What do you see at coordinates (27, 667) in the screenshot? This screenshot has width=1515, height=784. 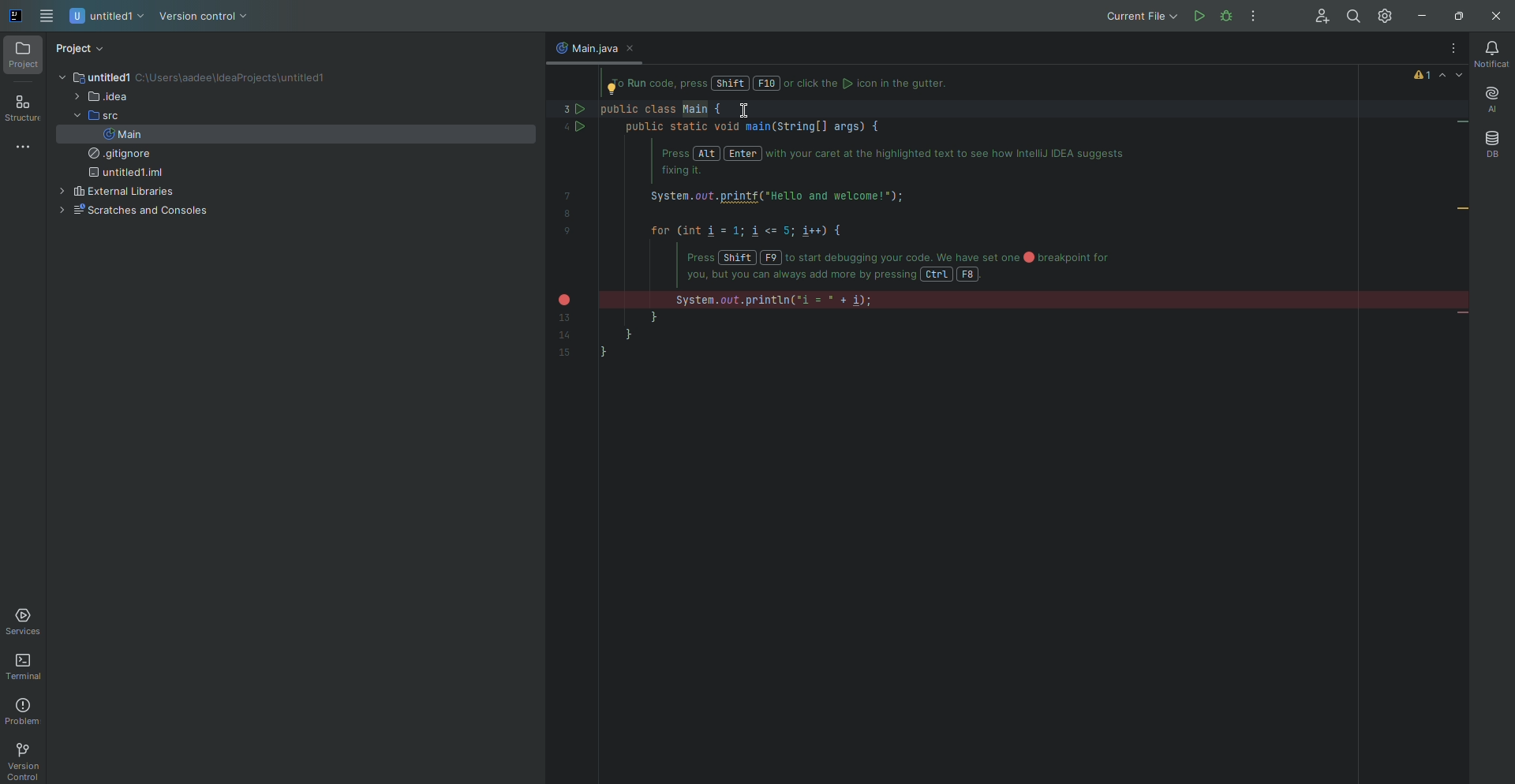 I see `Terminal` at bounding box center [27, 667].